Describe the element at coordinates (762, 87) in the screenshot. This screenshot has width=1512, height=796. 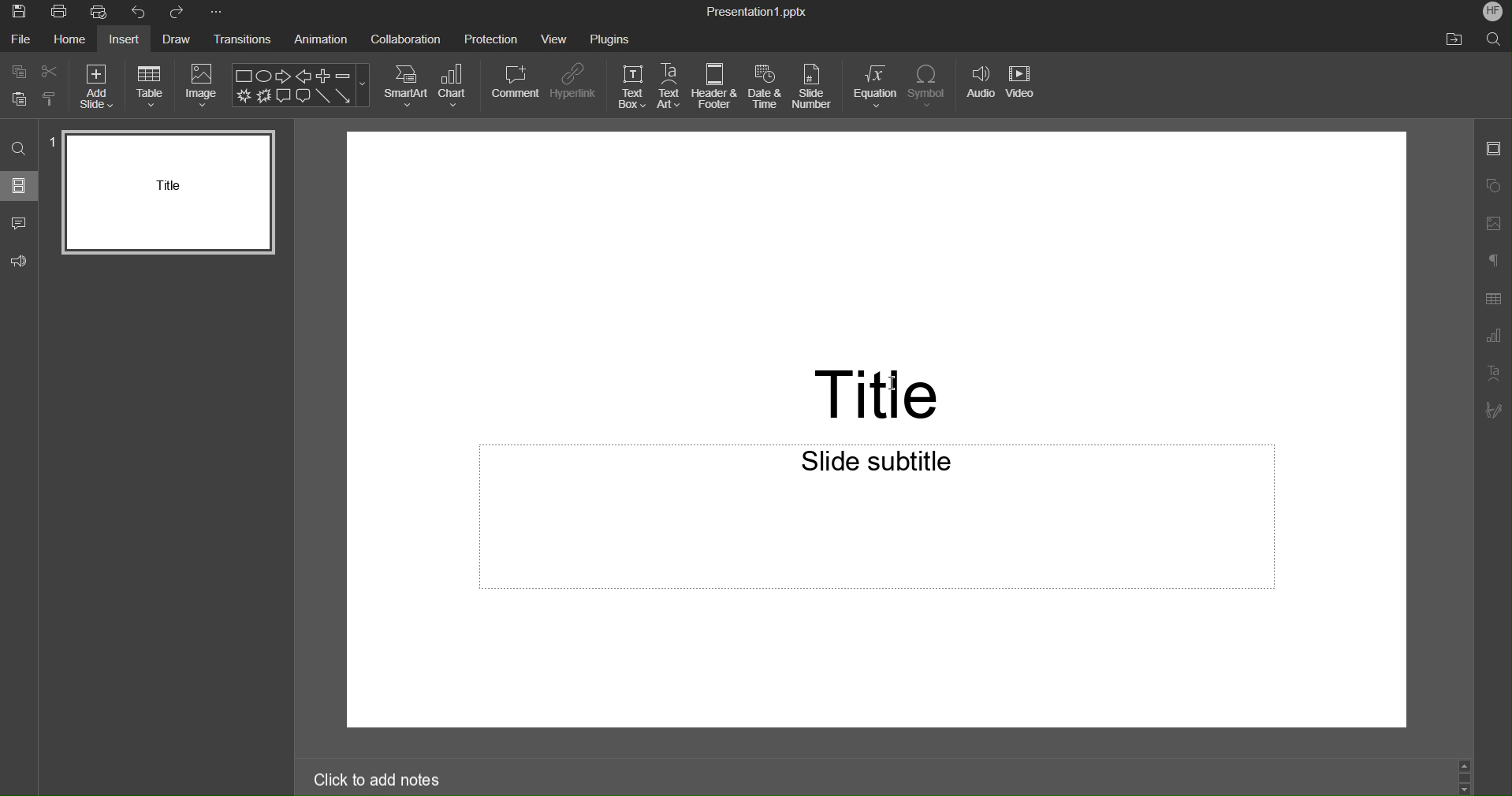
I see `Date and Time` at that location.